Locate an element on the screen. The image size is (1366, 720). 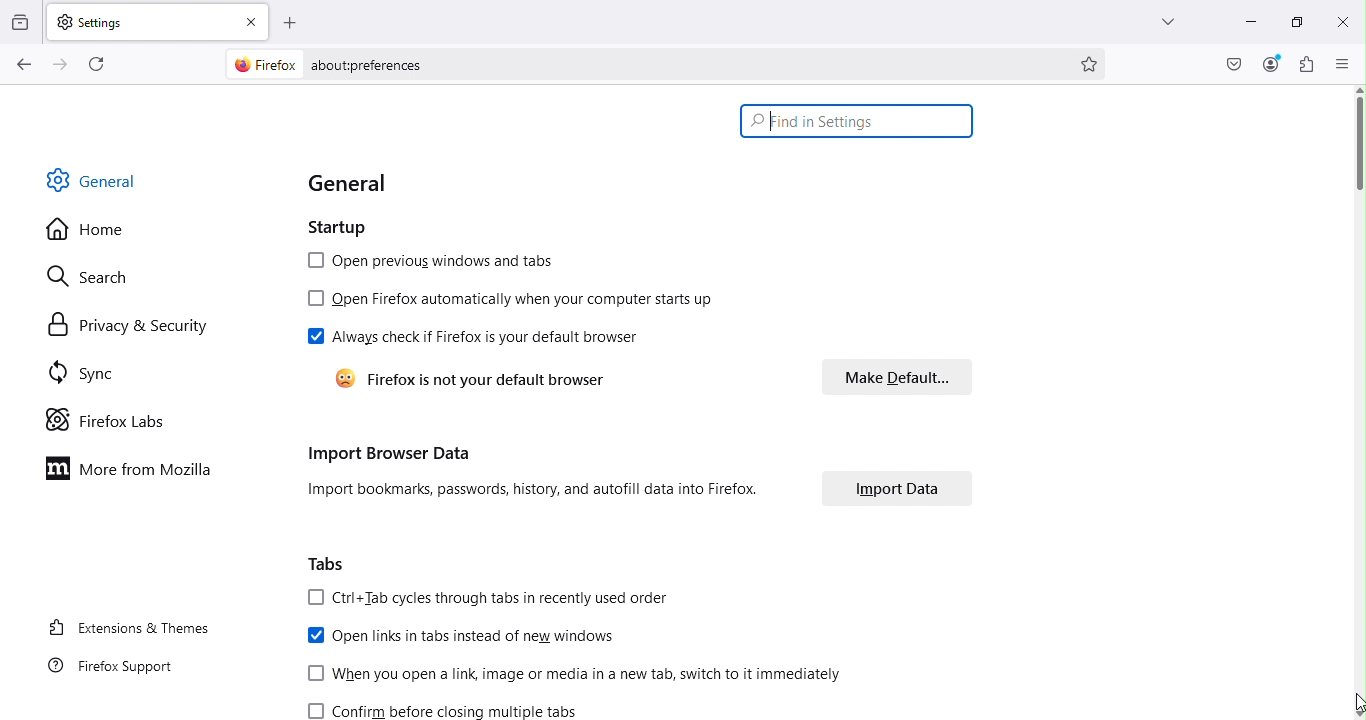
FireFox support is located at coordinates (106, 673).